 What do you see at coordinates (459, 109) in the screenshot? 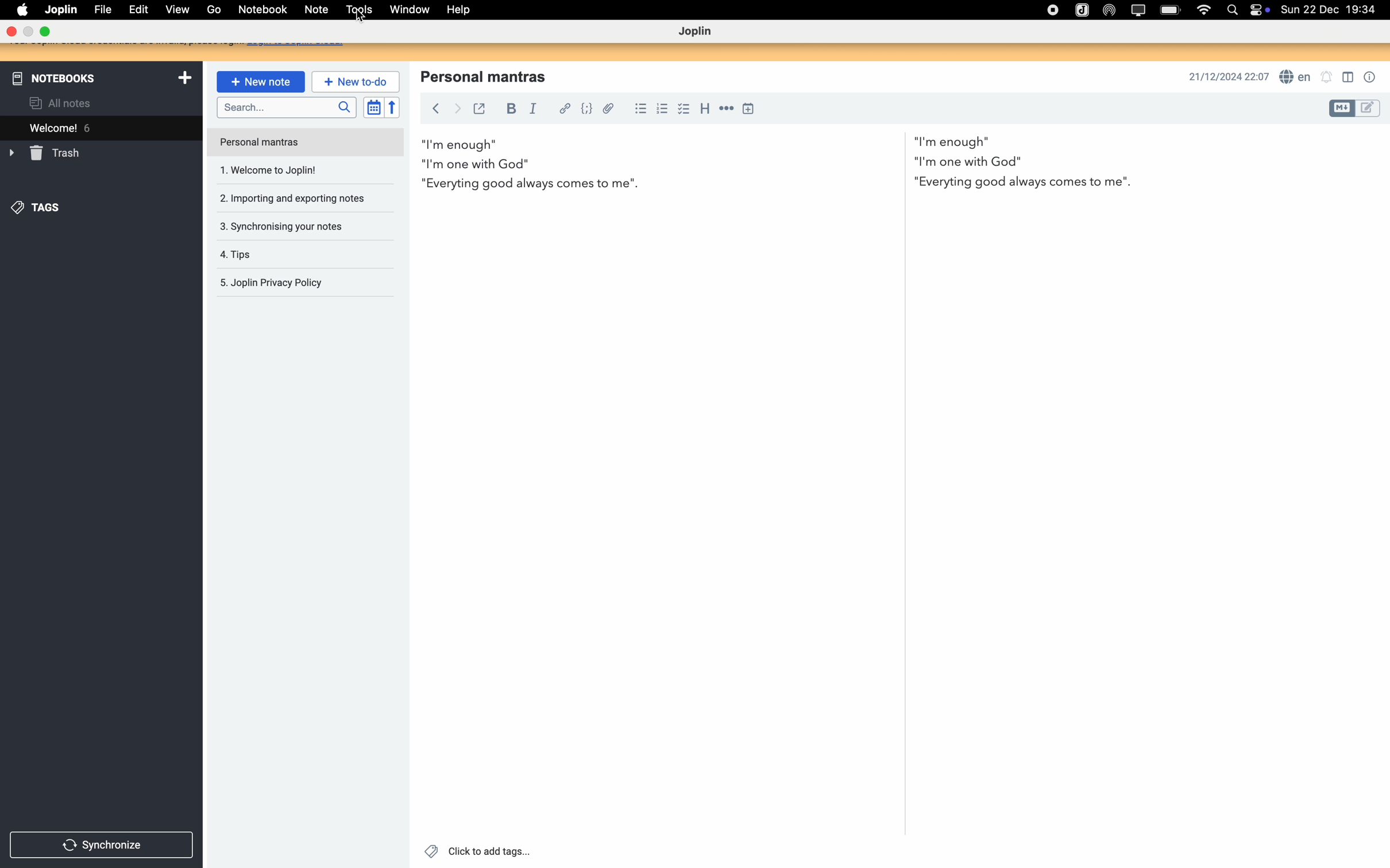
I see `foward` at bounding box center [459, 109].